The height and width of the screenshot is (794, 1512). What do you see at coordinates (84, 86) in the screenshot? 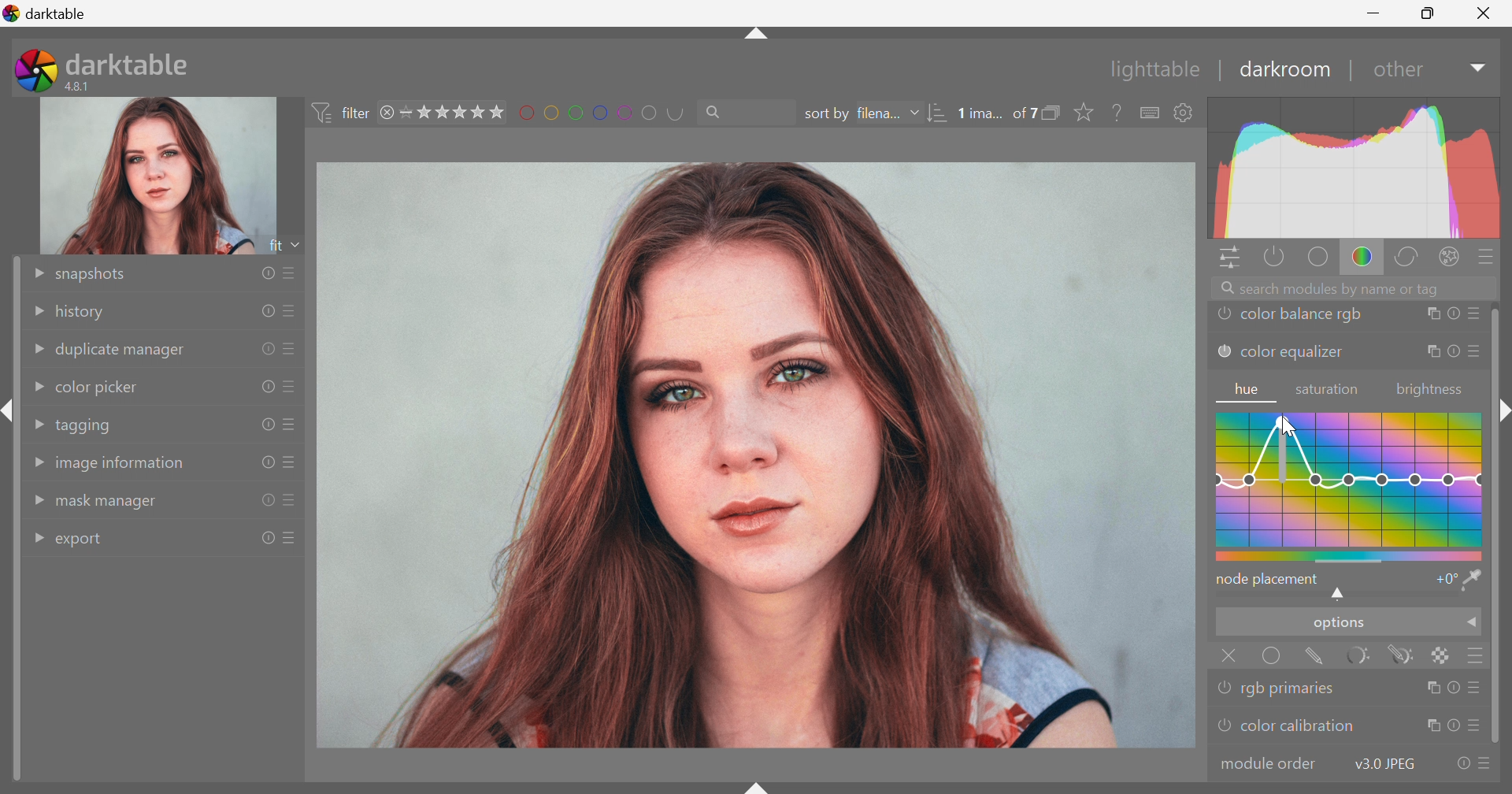
I see `4.8.1` at bounding box center [84, 86].